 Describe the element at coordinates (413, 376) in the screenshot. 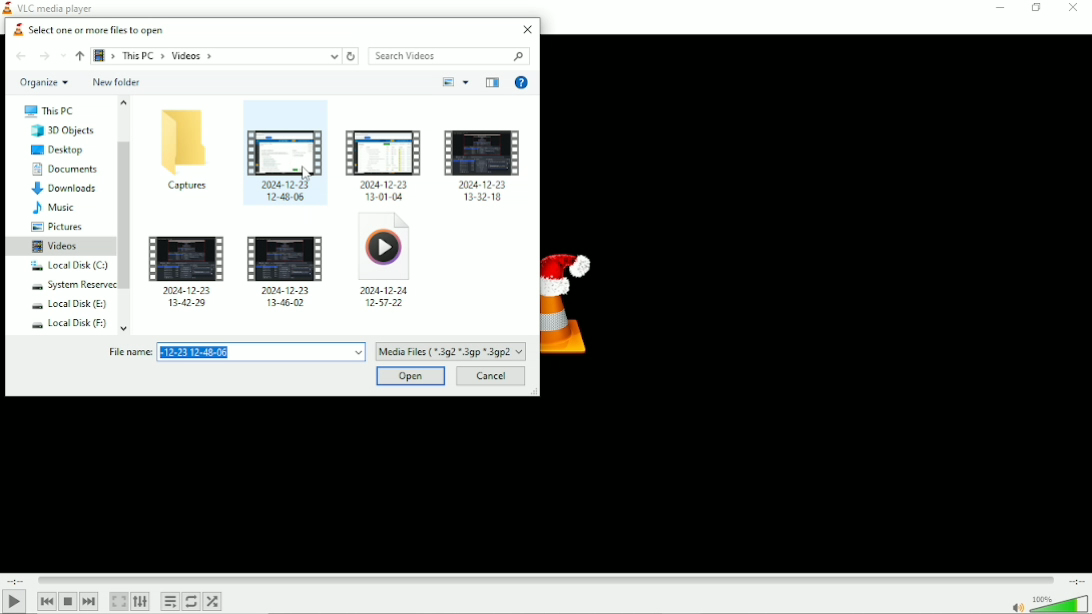

I see `Open` at that location.